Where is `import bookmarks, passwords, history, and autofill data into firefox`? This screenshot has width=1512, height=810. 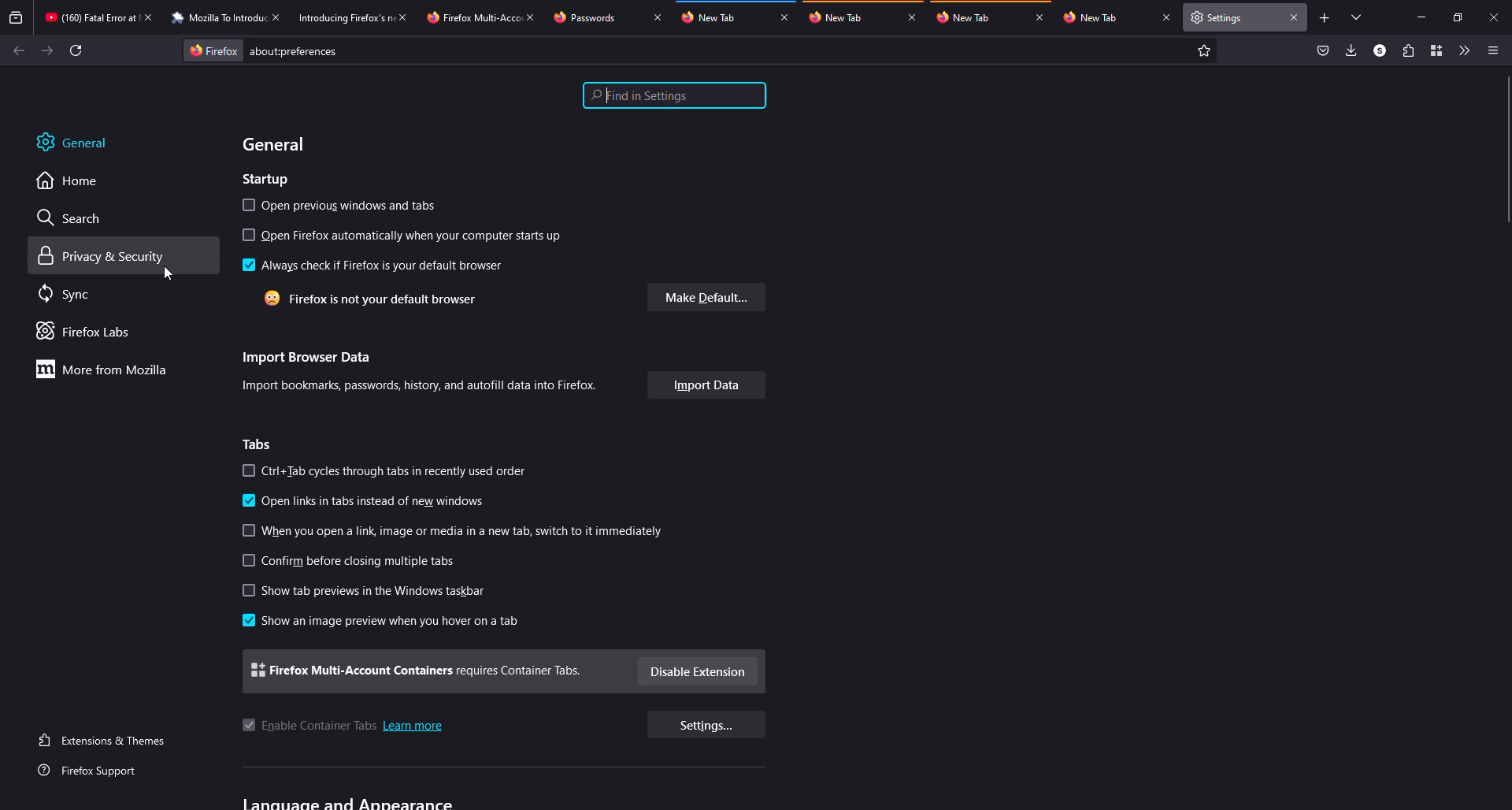 import bookmarks, passwords, history, and autofill data into firefox is located at coordinates (423, 385).